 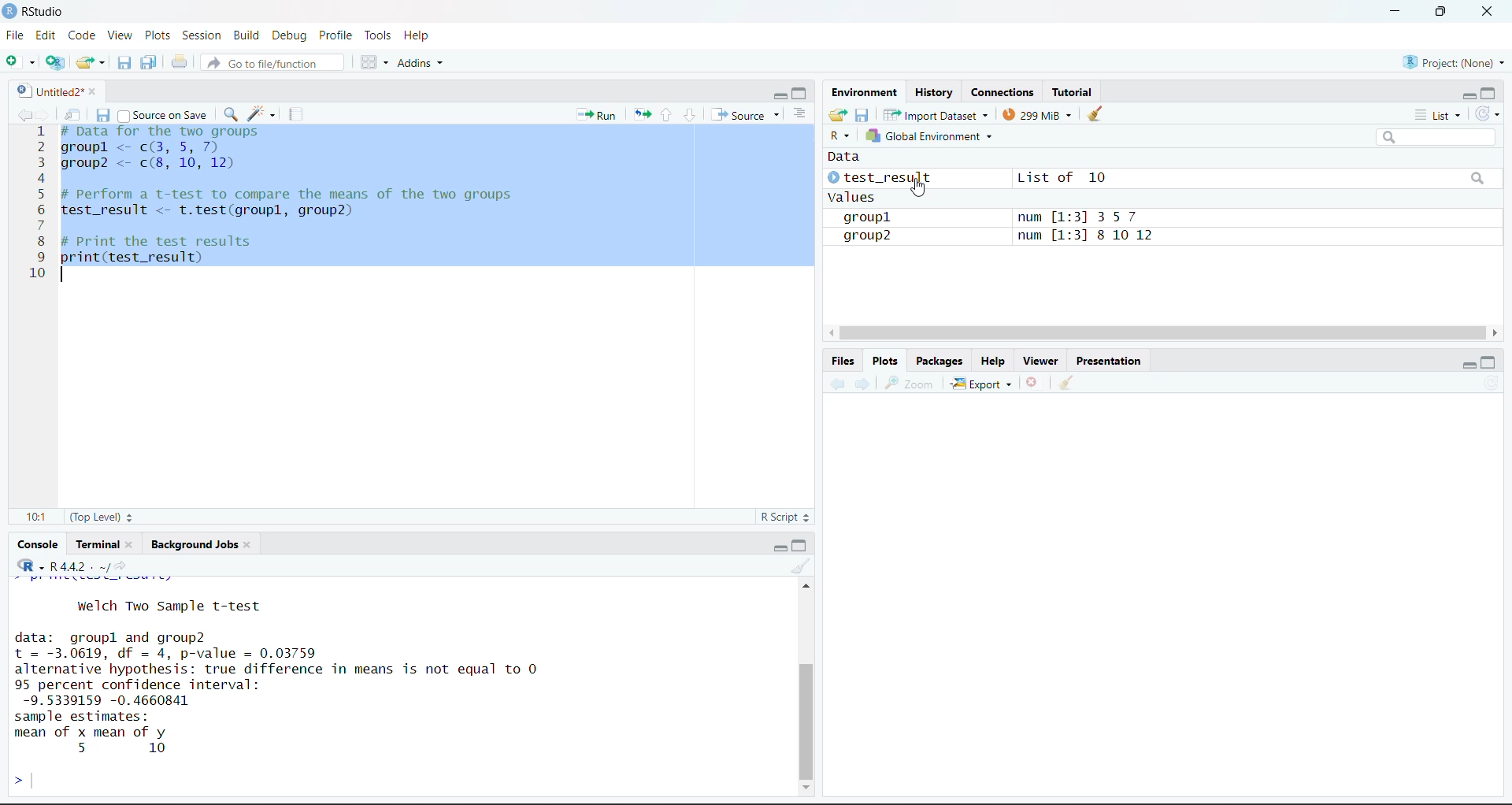 What do you see at coordinates (1067, 384) in the screenshot?
I see `clear all plots` at bounding box center [1067, 384].